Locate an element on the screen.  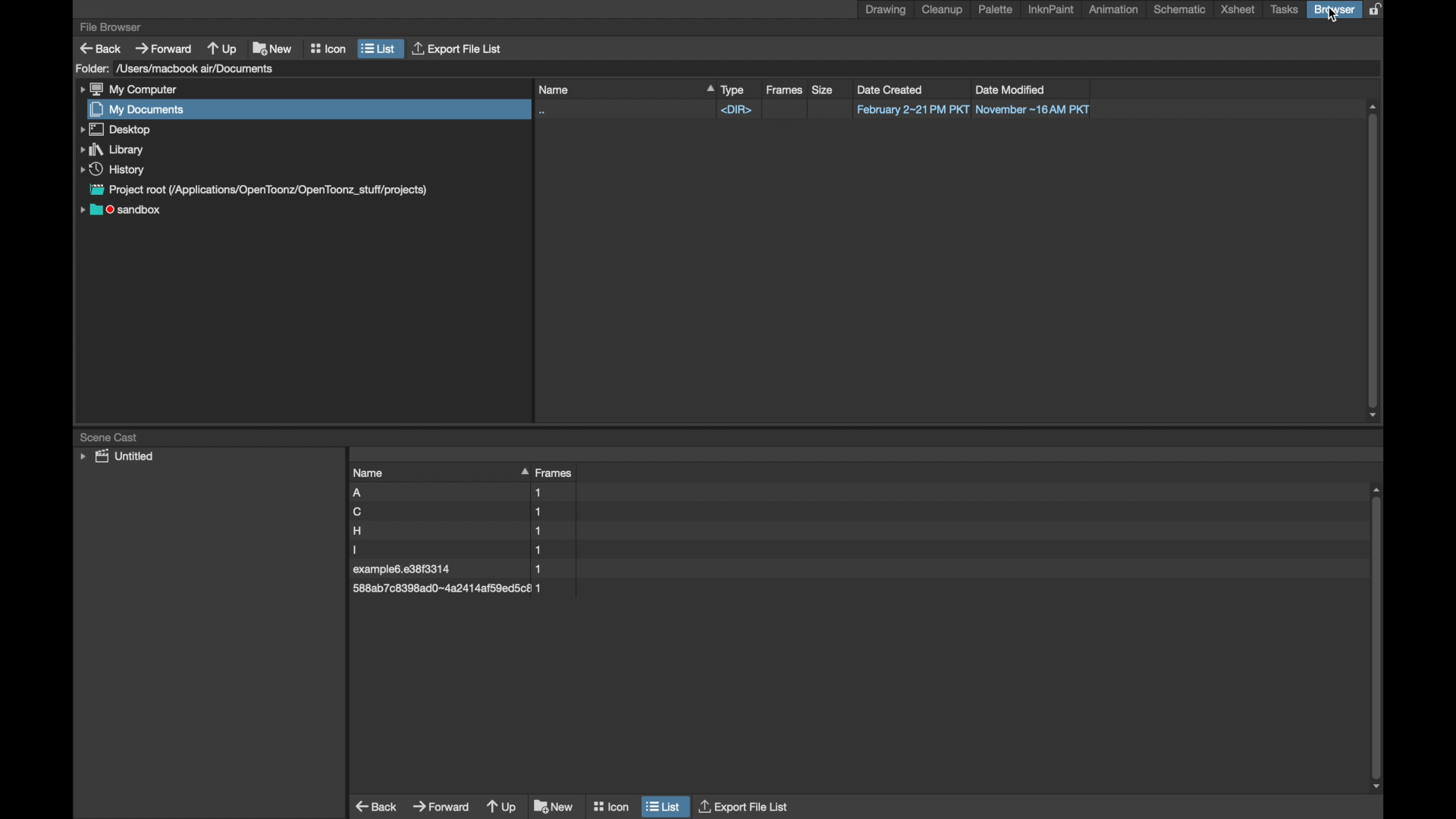
inknpaint is located at coordinates (1050, 10).